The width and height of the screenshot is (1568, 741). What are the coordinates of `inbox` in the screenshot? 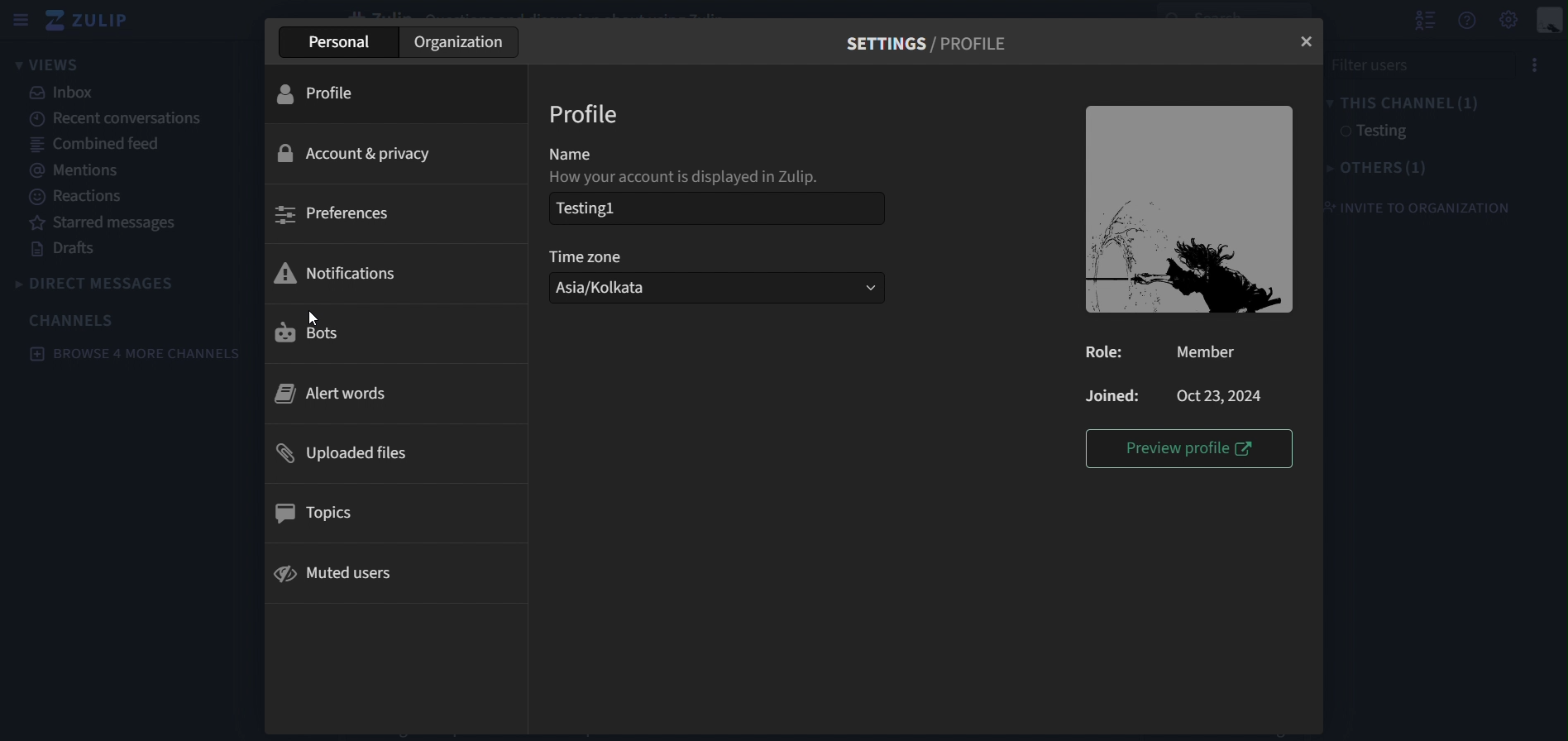 It's located at (65, 93).